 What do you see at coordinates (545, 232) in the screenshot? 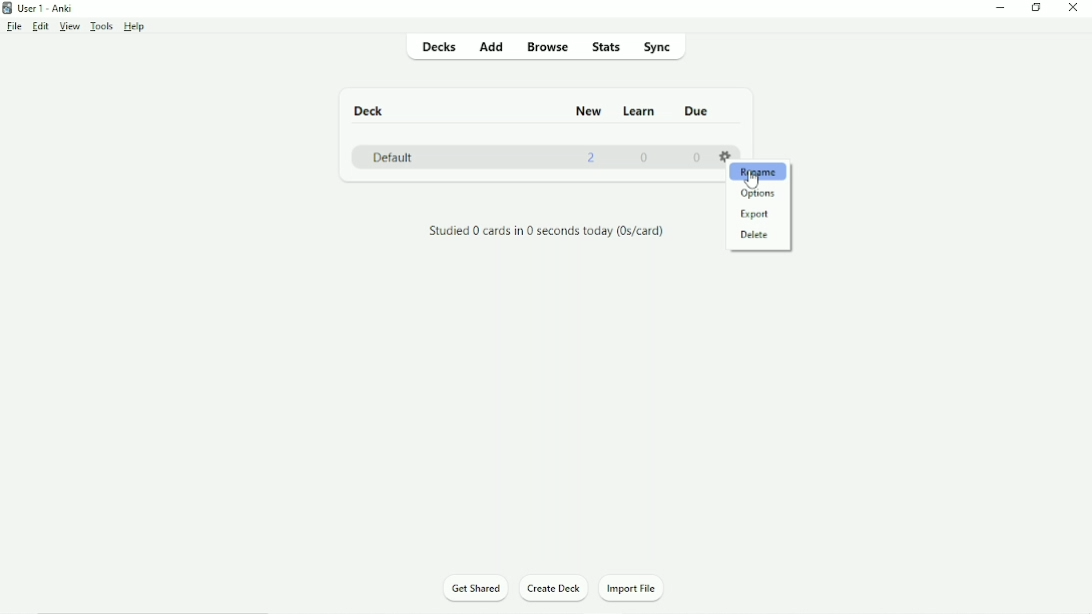
I see `Studied 0 cards in 0 seconds today.` at bounding box center [545, 232].